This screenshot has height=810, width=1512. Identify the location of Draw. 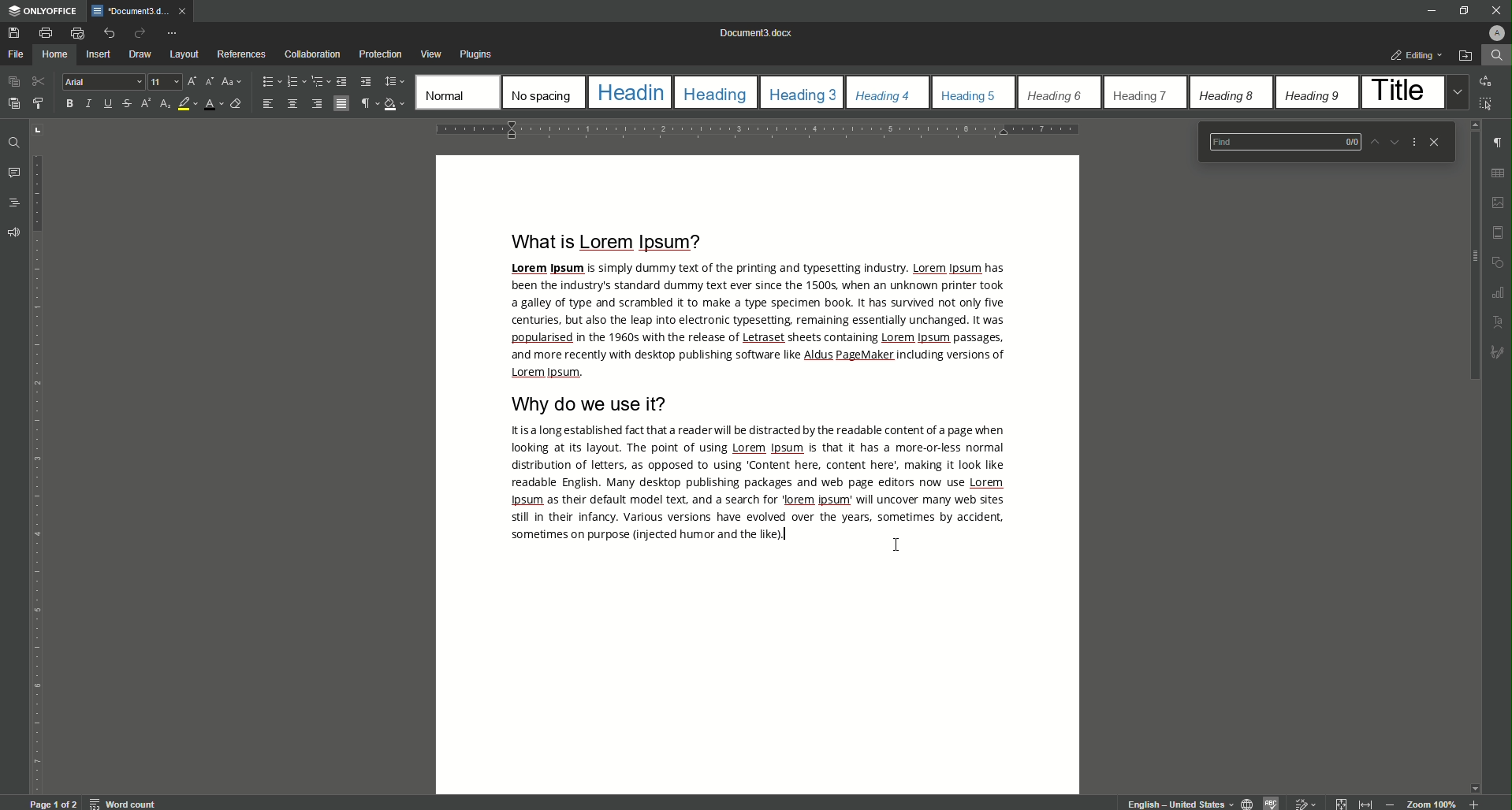
(142, 54).